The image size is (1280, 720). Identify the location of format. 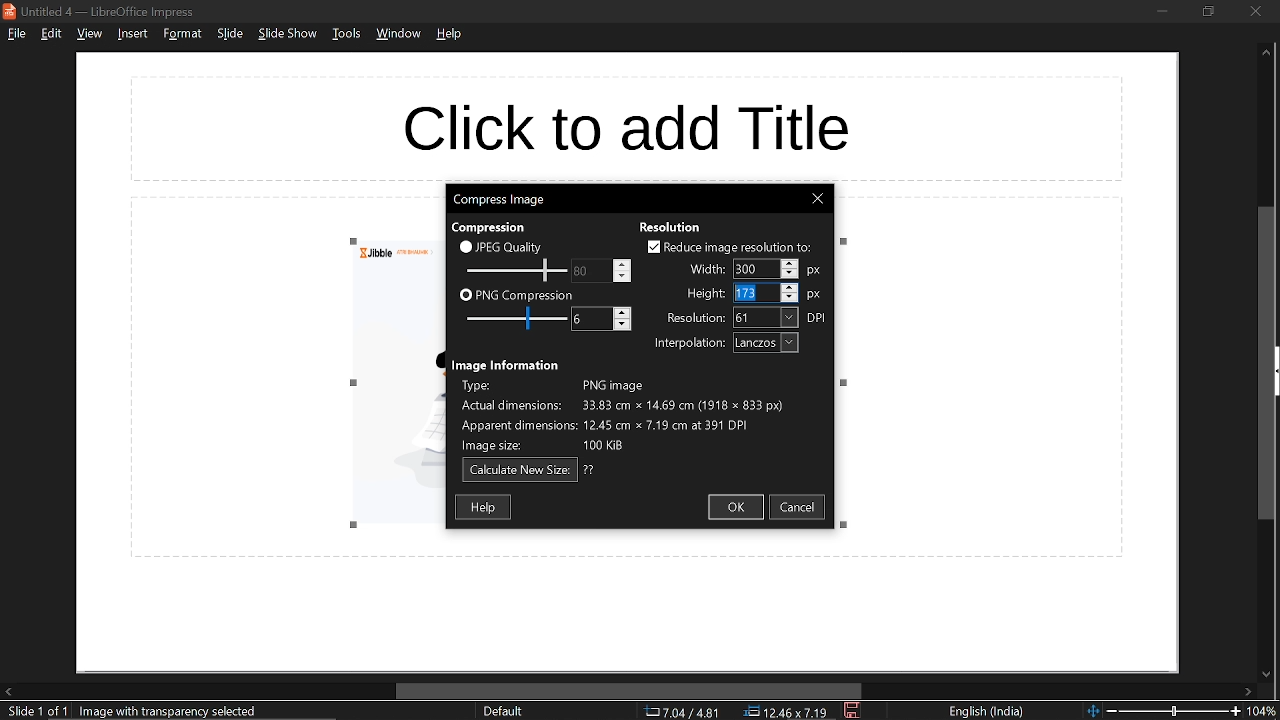
(182, 34).